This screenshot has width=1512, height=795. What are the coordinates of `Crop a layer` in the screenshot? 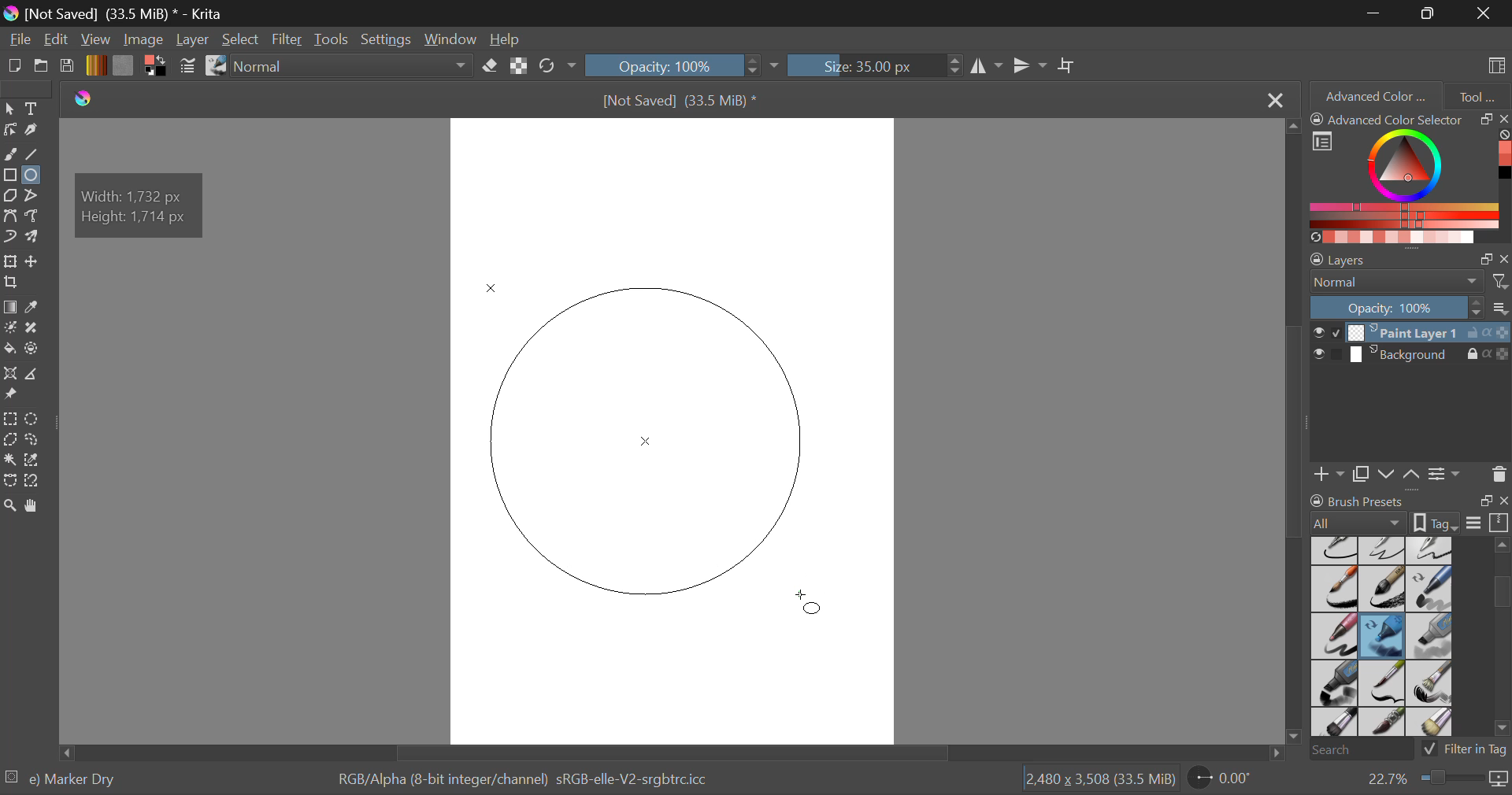 It's located at (11, 284).